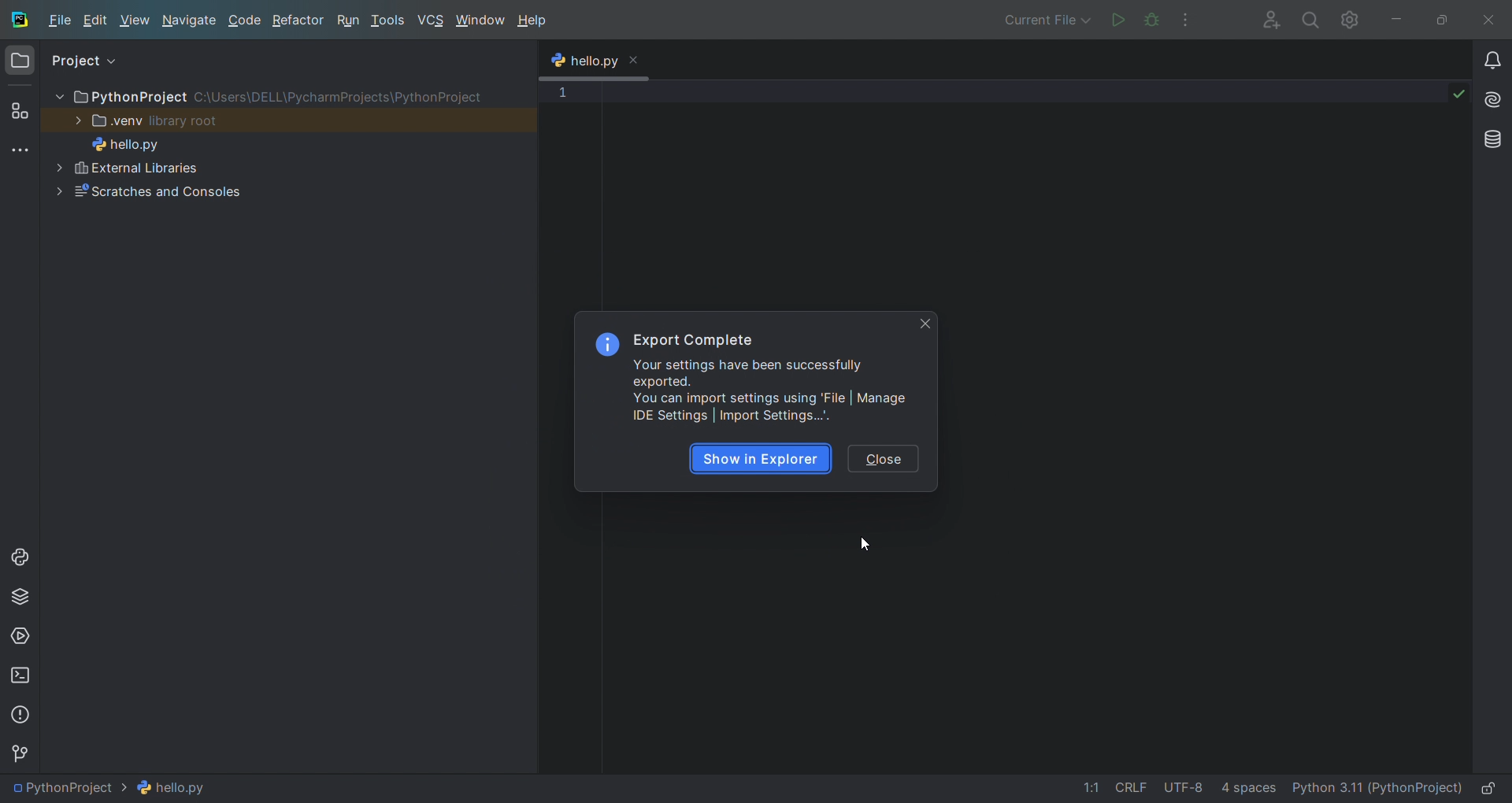  I want to click on vcs, so click(432, 20).